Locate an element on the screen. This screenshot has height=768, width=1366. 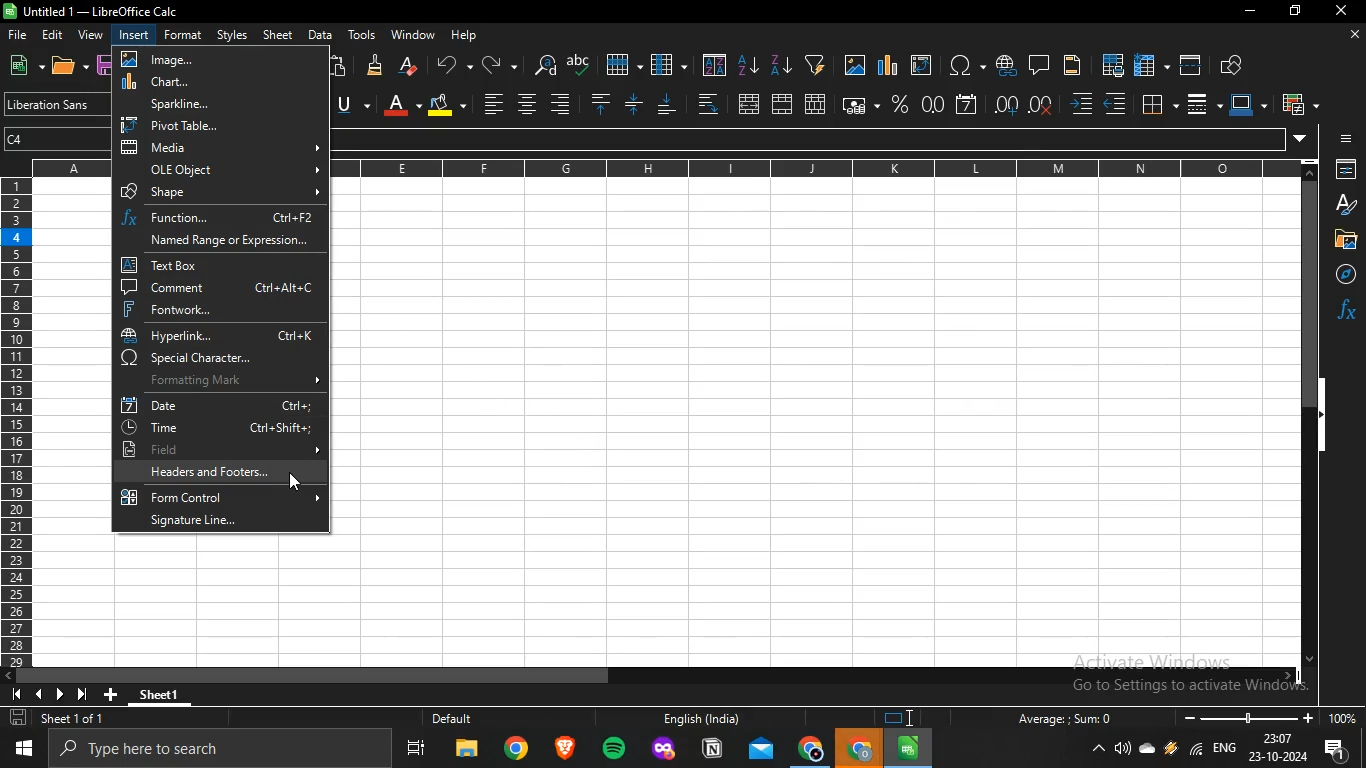
mozilla firefox is located at coordinates (664, 750).